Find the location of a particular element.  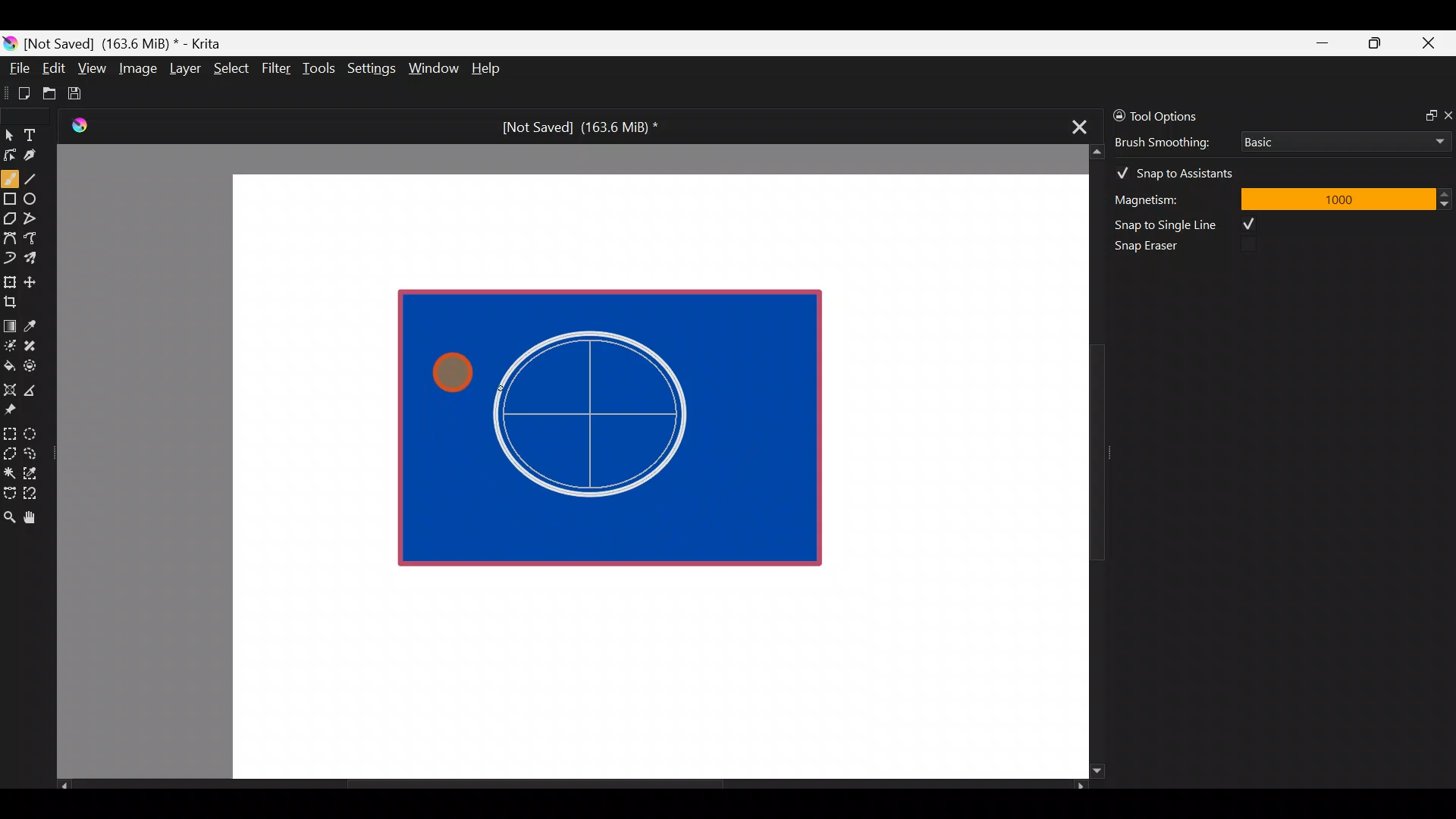

Fill a contiguous area of colour with colour/fill a selection is located at coordinates (9, 362).